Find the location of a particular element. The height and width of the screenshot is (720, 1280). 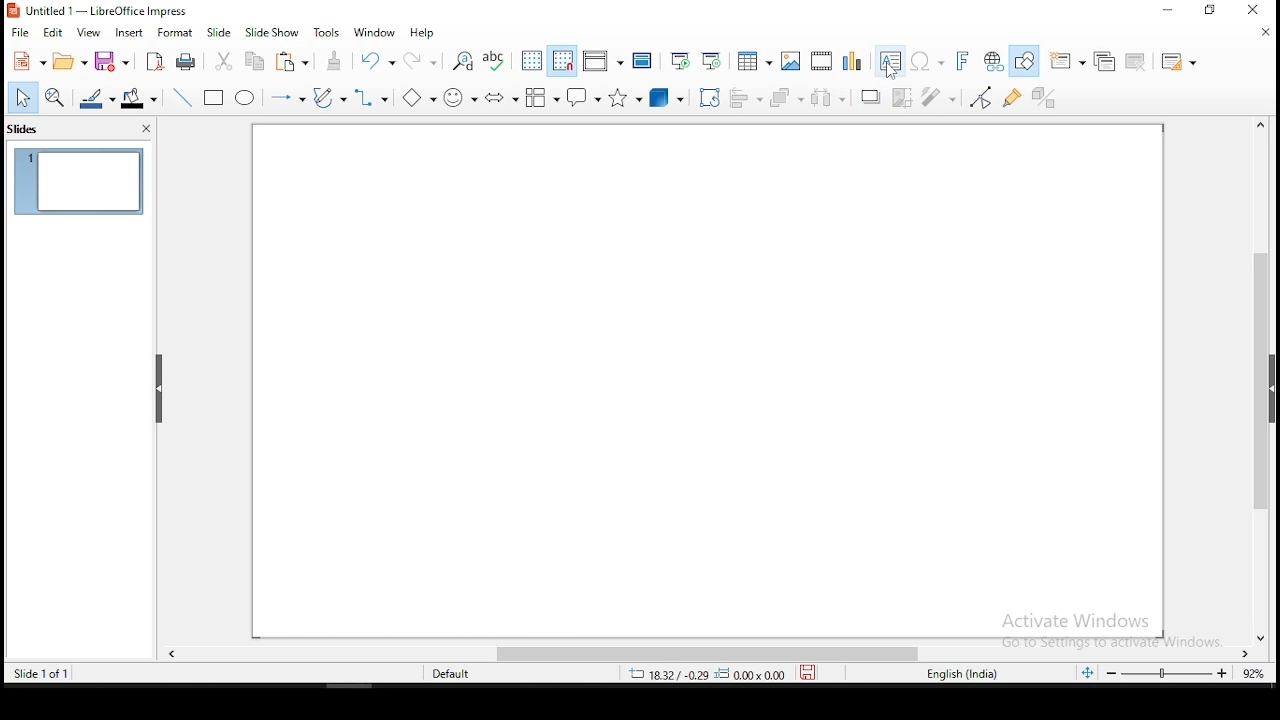

undo is located at coordinates (376, 59).